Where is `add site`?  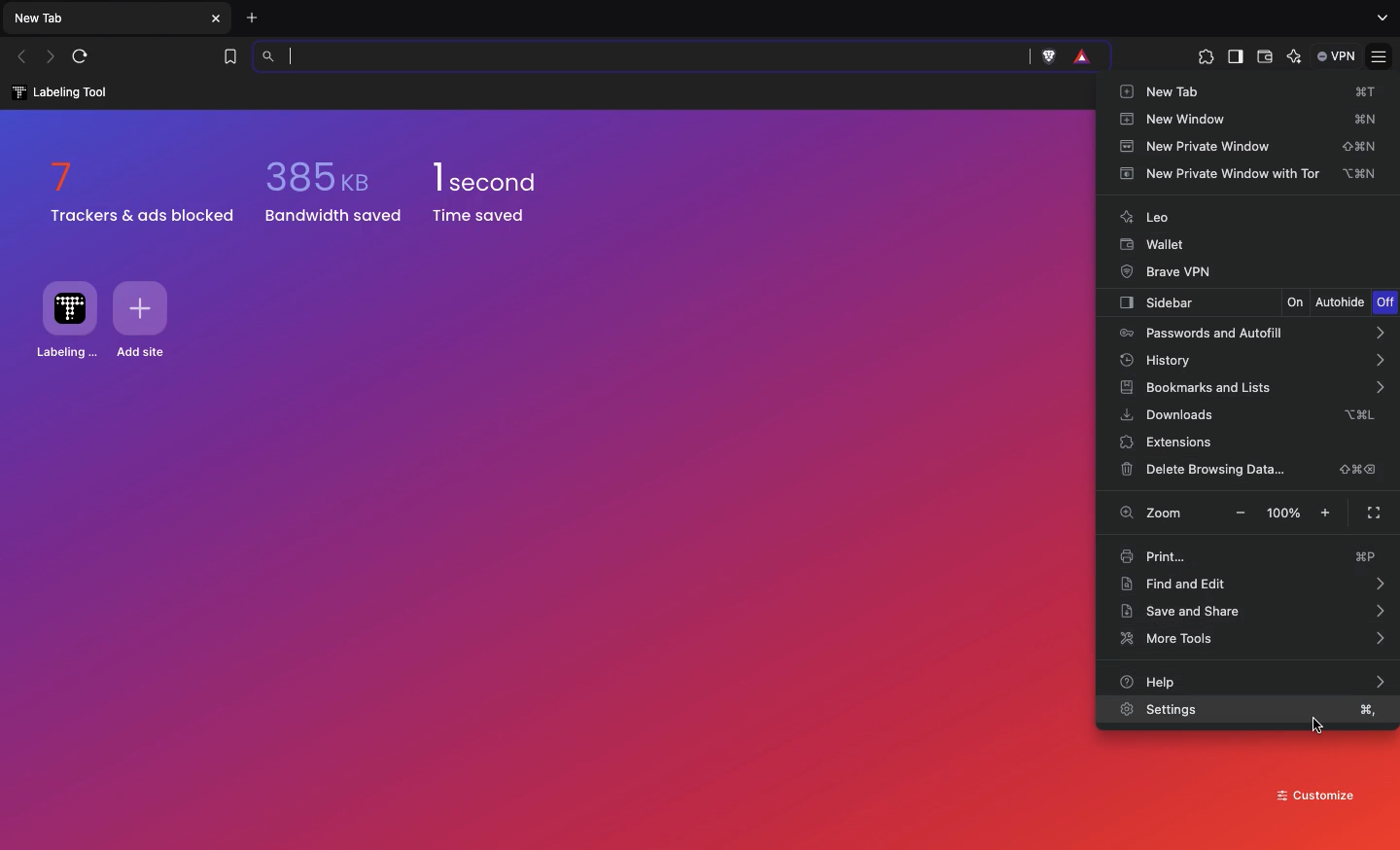 add site is located at coordinates (149, 319).